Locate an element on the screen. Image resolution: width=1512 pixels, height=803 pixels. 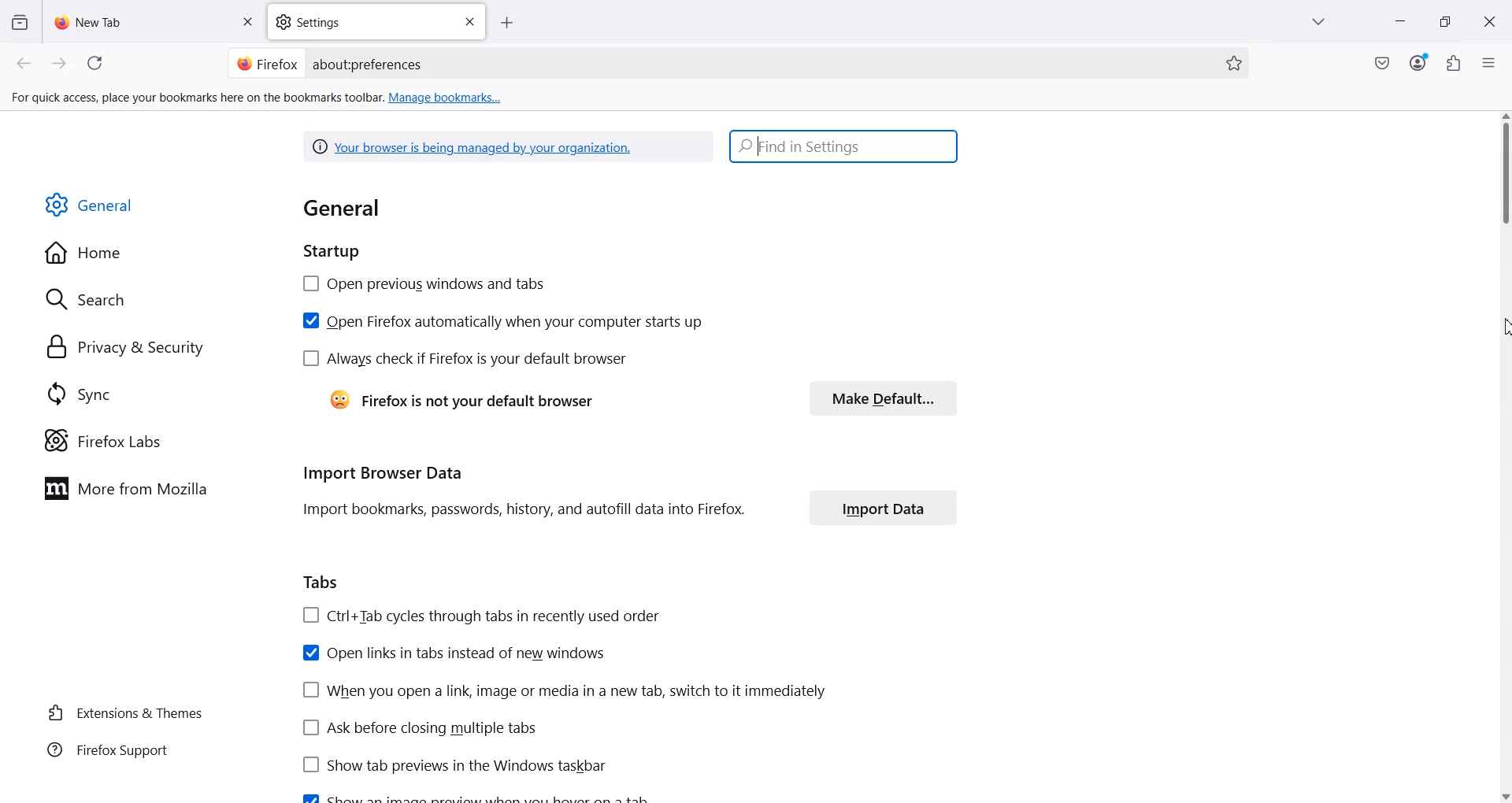
Startup is located at coordinates (347, 251).